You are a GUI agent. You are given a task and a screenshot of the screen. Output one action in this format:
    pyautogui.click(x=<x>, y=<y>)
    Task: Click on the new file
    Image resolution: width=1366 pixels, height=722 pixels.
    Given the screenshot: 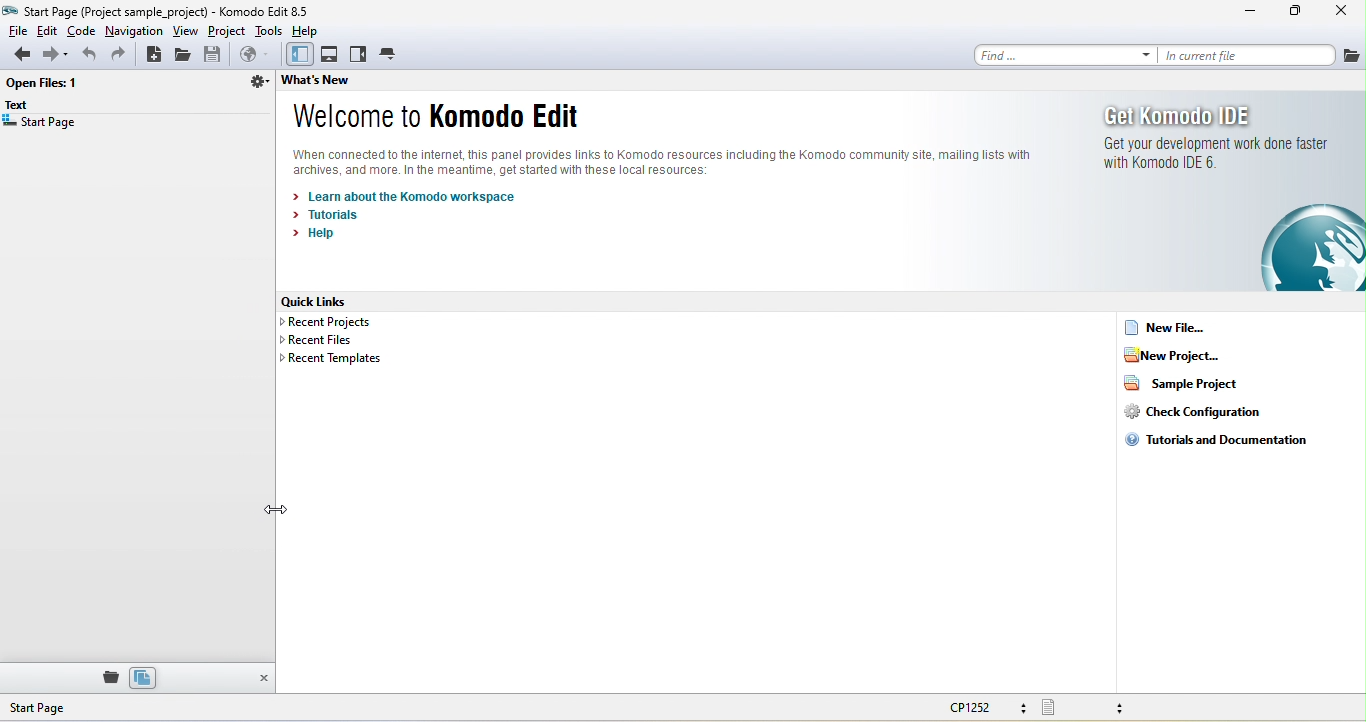 What is the action you would take?
    pyautogui.click(x=1191, y=327)
    